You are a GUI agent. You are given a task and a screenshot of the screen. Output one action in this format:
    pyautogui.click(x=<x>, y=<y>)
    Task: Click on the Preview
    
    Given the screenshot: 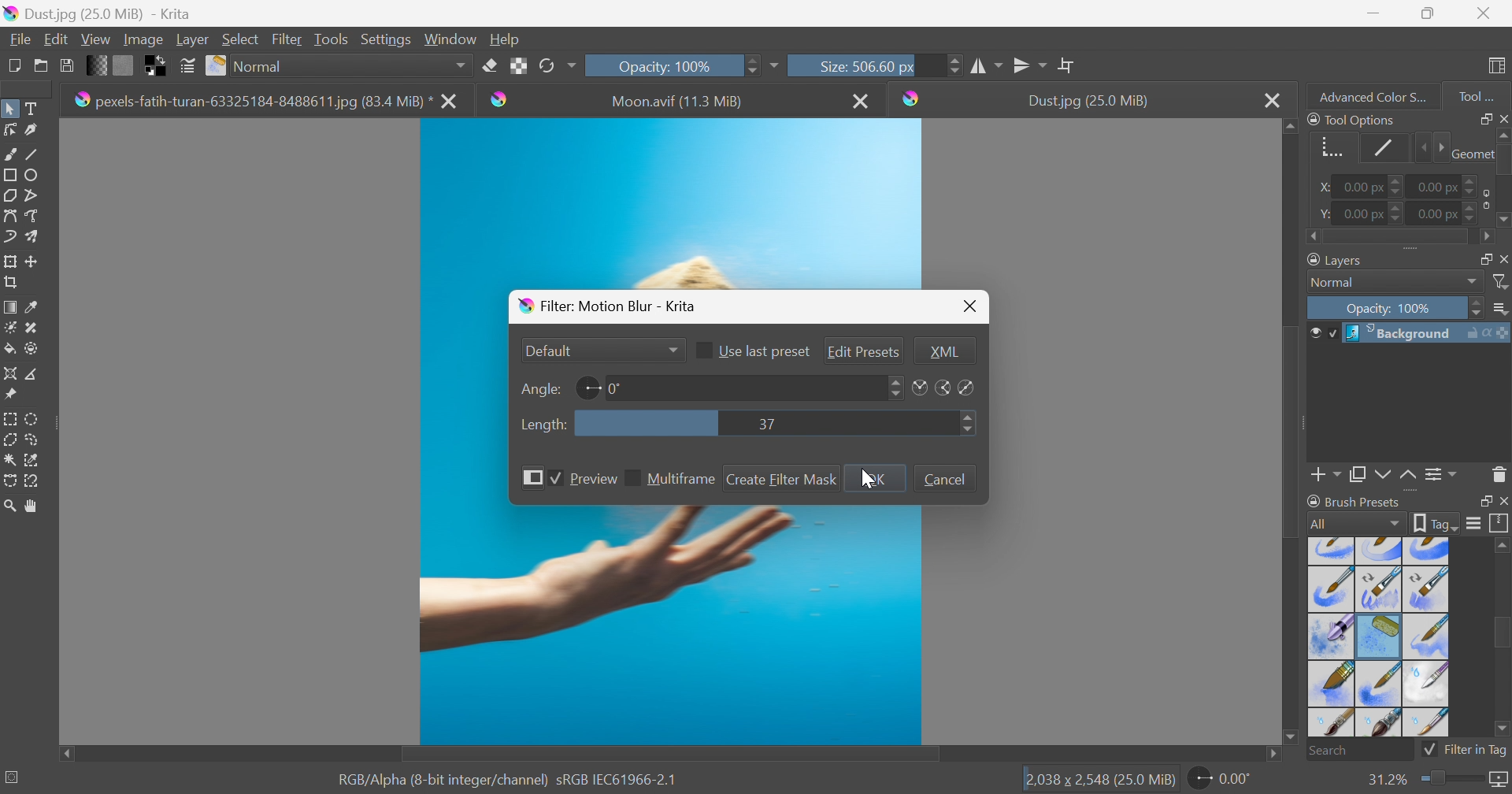 What is the action you would take?
    pyautogui.click(x=593, y=480)
    